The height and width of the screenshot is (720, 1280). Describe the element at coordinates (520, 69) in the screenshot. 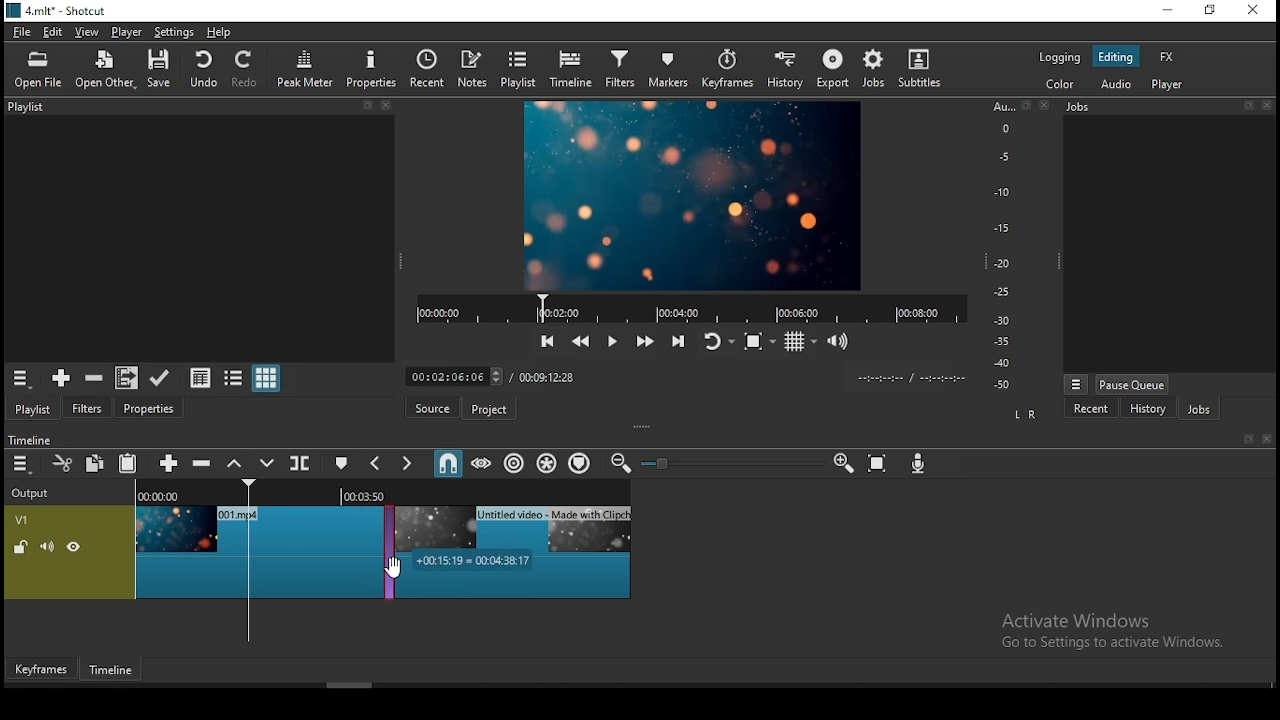

I see `playlist` at that location.